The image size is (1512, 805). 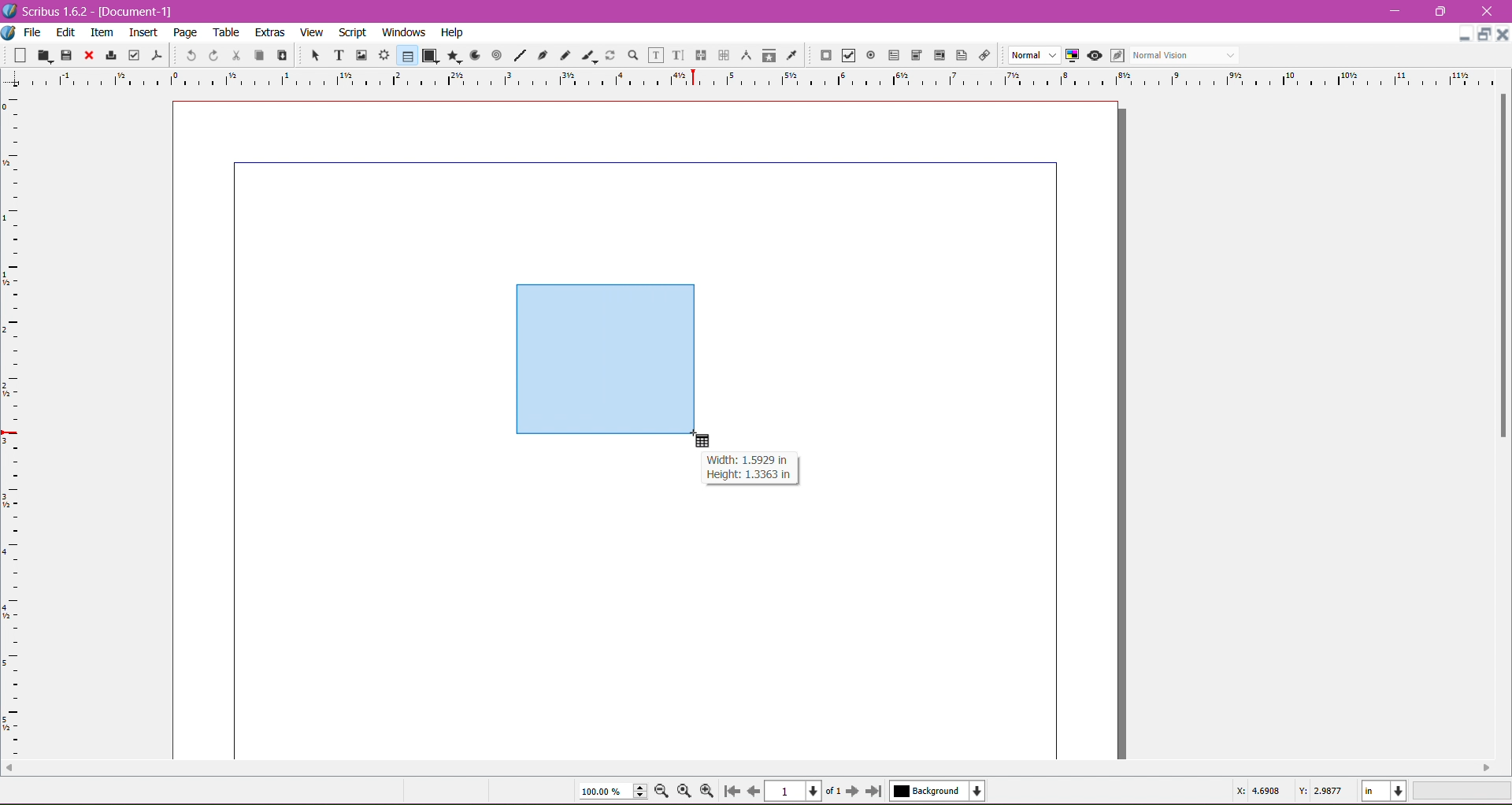 What do you see at coordinates (94, 11) in the screenshot?
I see `Scribus 1.6.2 - [Document-1]` at bounding box center [94, 11].